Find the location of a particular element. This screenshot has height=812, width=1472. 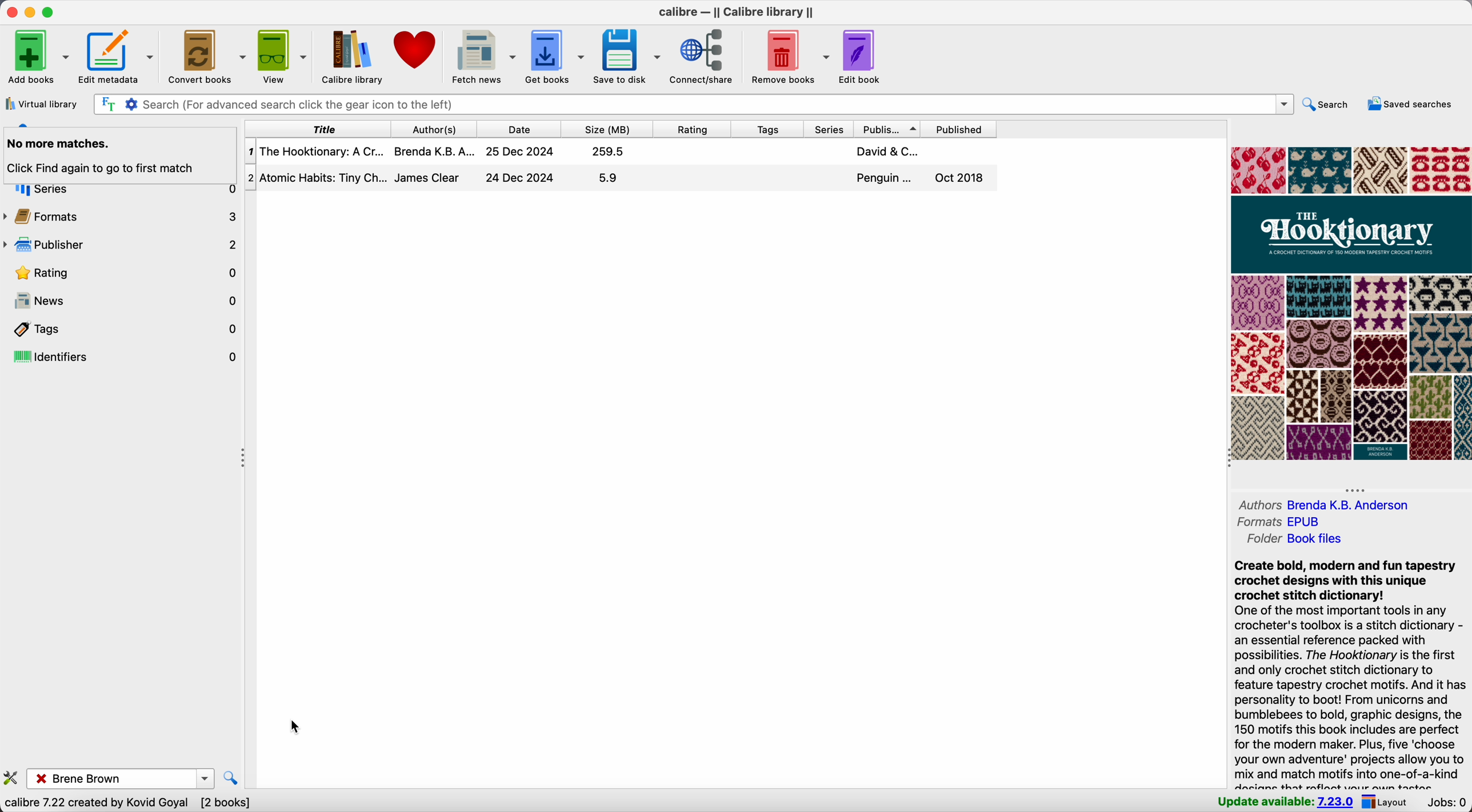

book cover preview is located at coordinates (1350, 301).